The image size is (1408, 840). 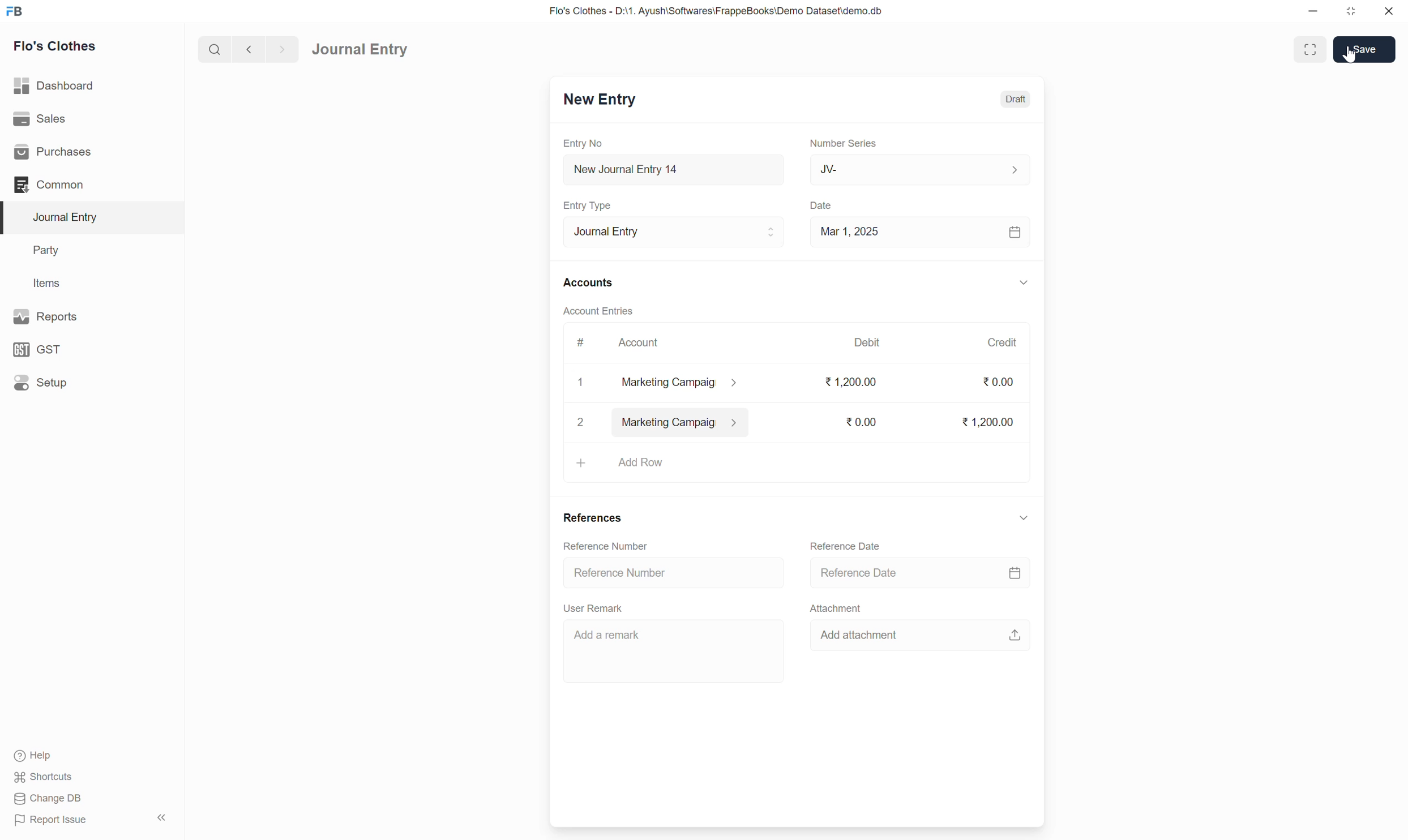 I want to click on +, so click(x=581, y=462).